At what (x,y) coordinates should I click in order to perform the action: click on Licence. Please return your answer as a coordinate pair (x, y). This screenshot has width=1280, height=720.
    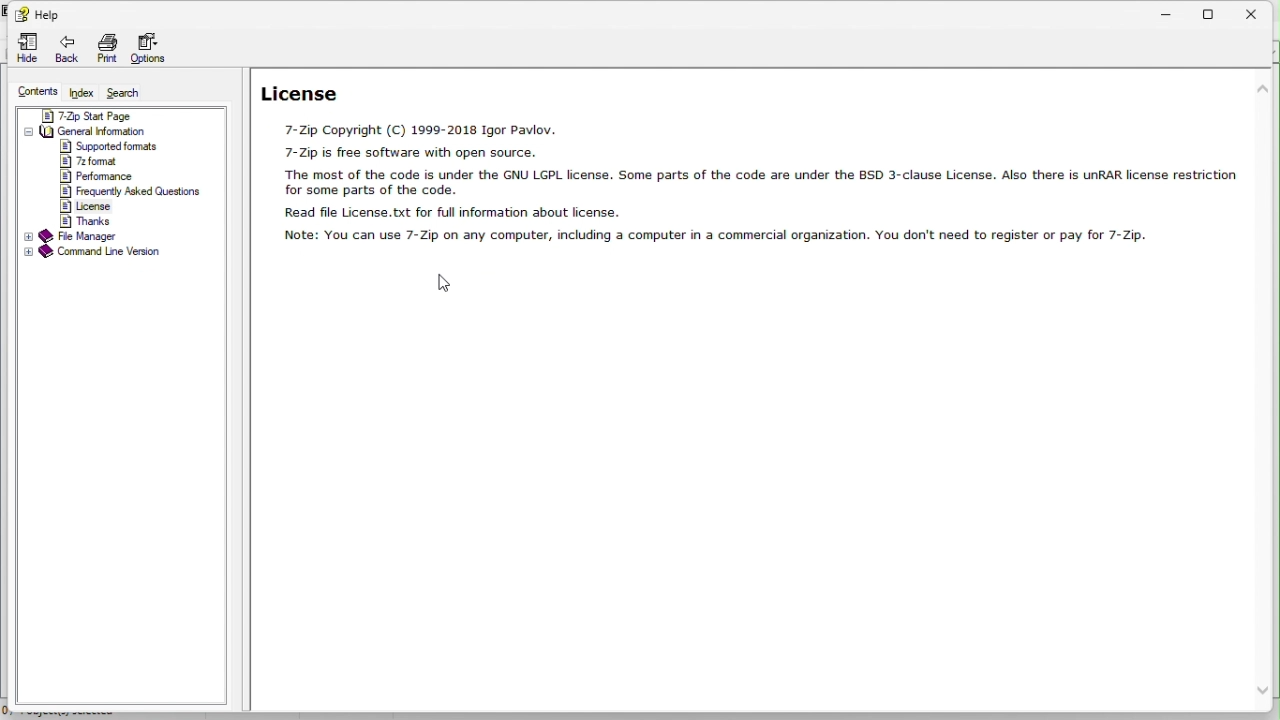
    Looking at the image, I should click on (89, 206).